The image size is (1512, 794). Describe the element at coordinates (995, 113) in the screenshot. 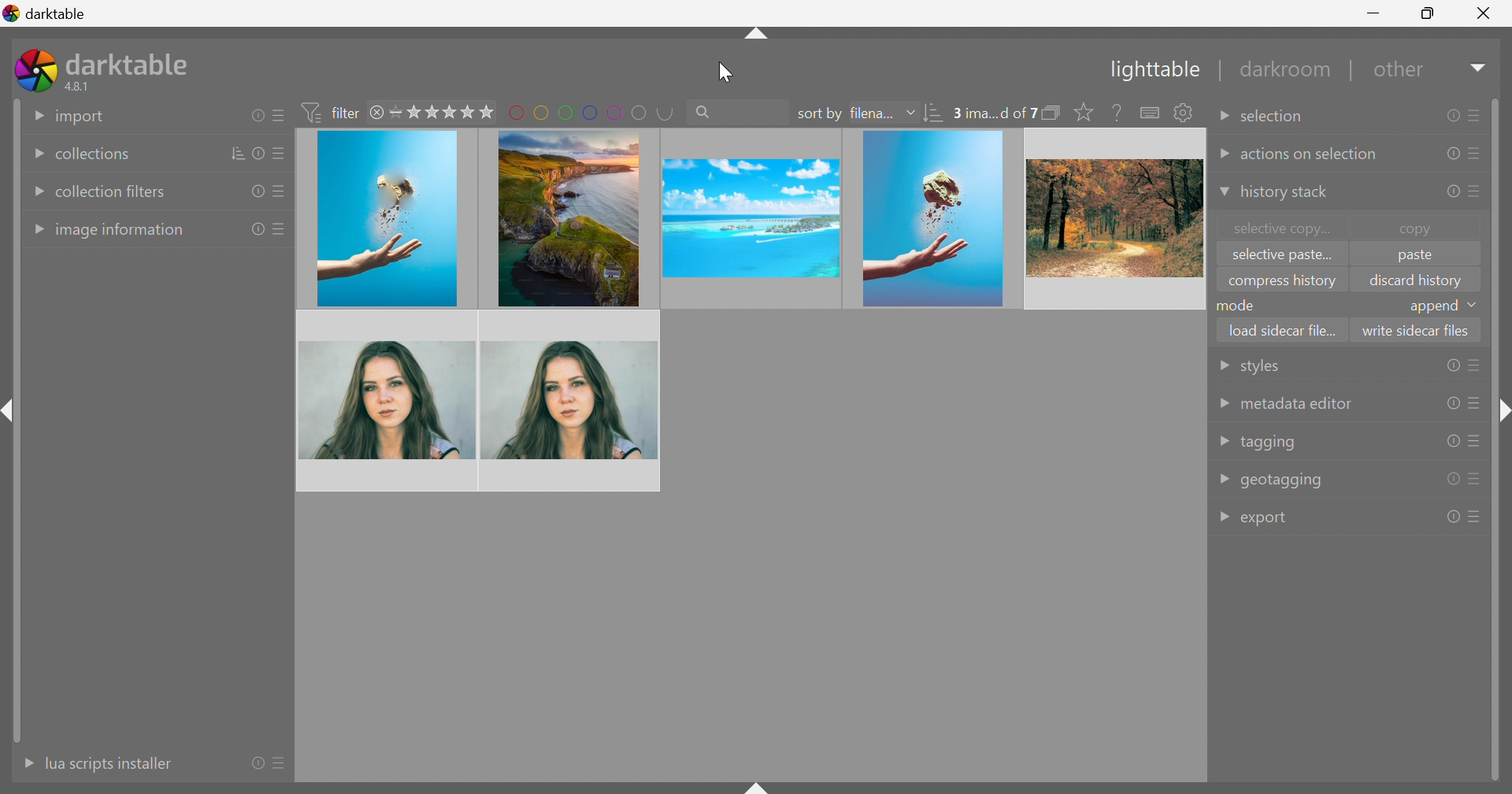

I see `0 ima...d of 7` at that location.